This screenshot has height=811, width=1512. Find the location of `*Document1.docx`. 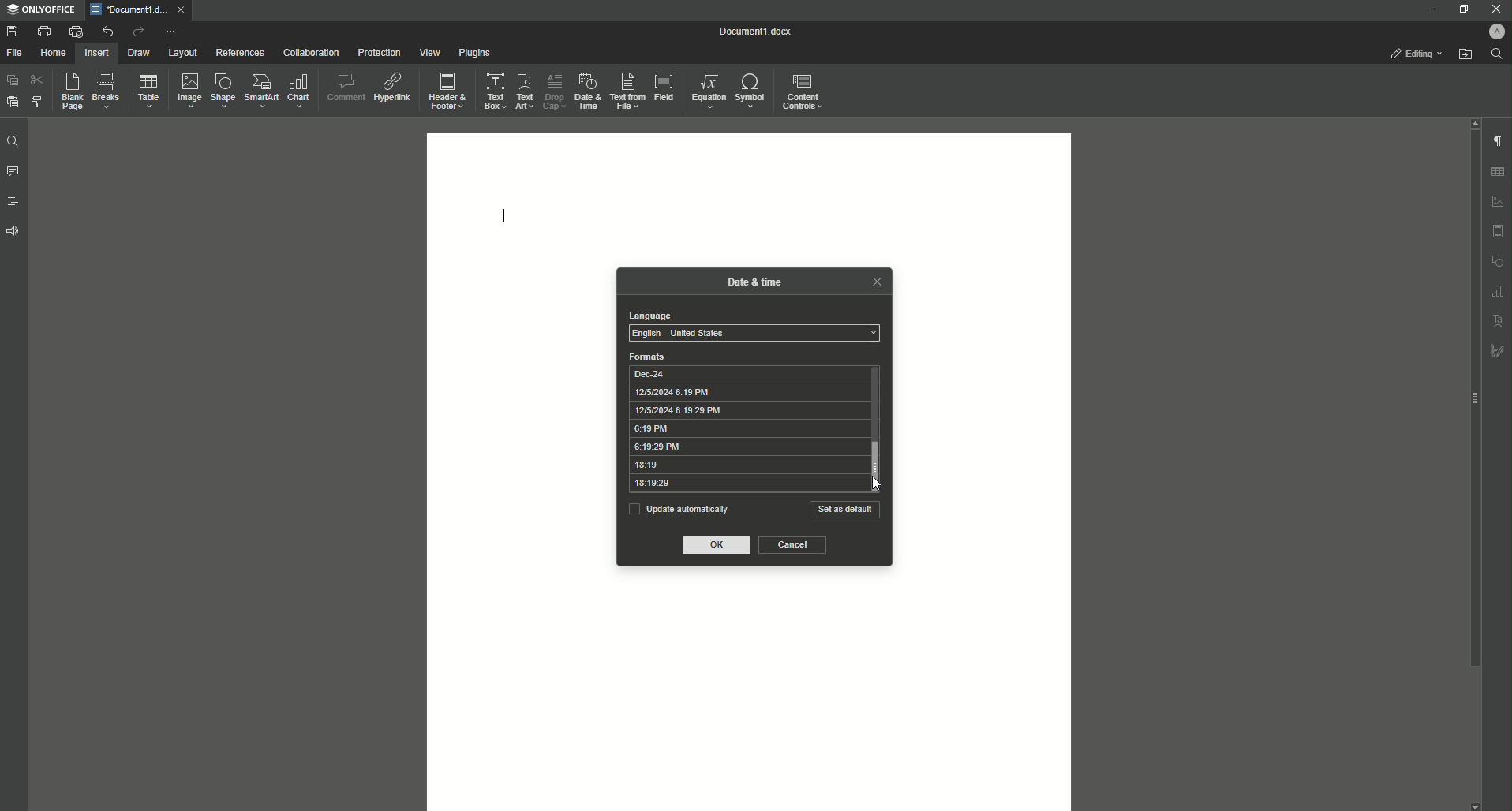

*Document1.docx is located at coordinates (128, 9).